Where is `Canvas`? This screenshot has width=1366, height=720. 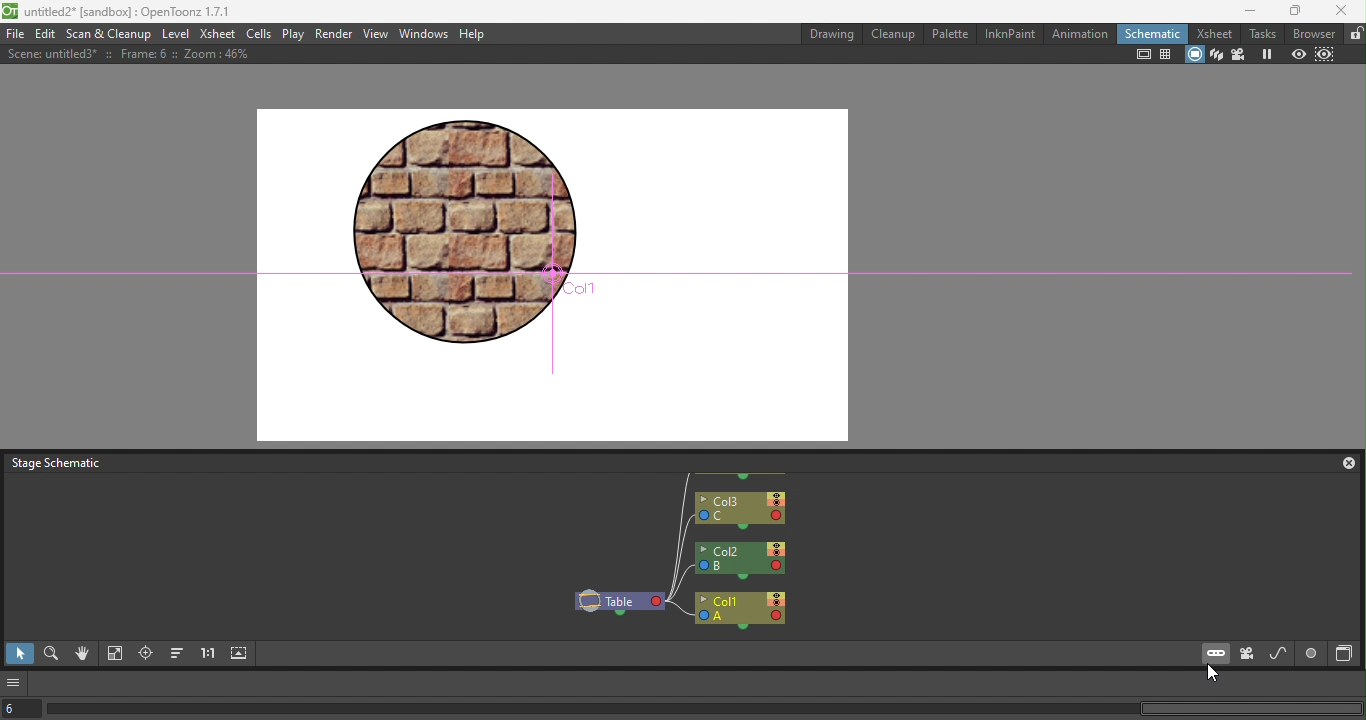 Canvas is located at coordinates (556, 271).